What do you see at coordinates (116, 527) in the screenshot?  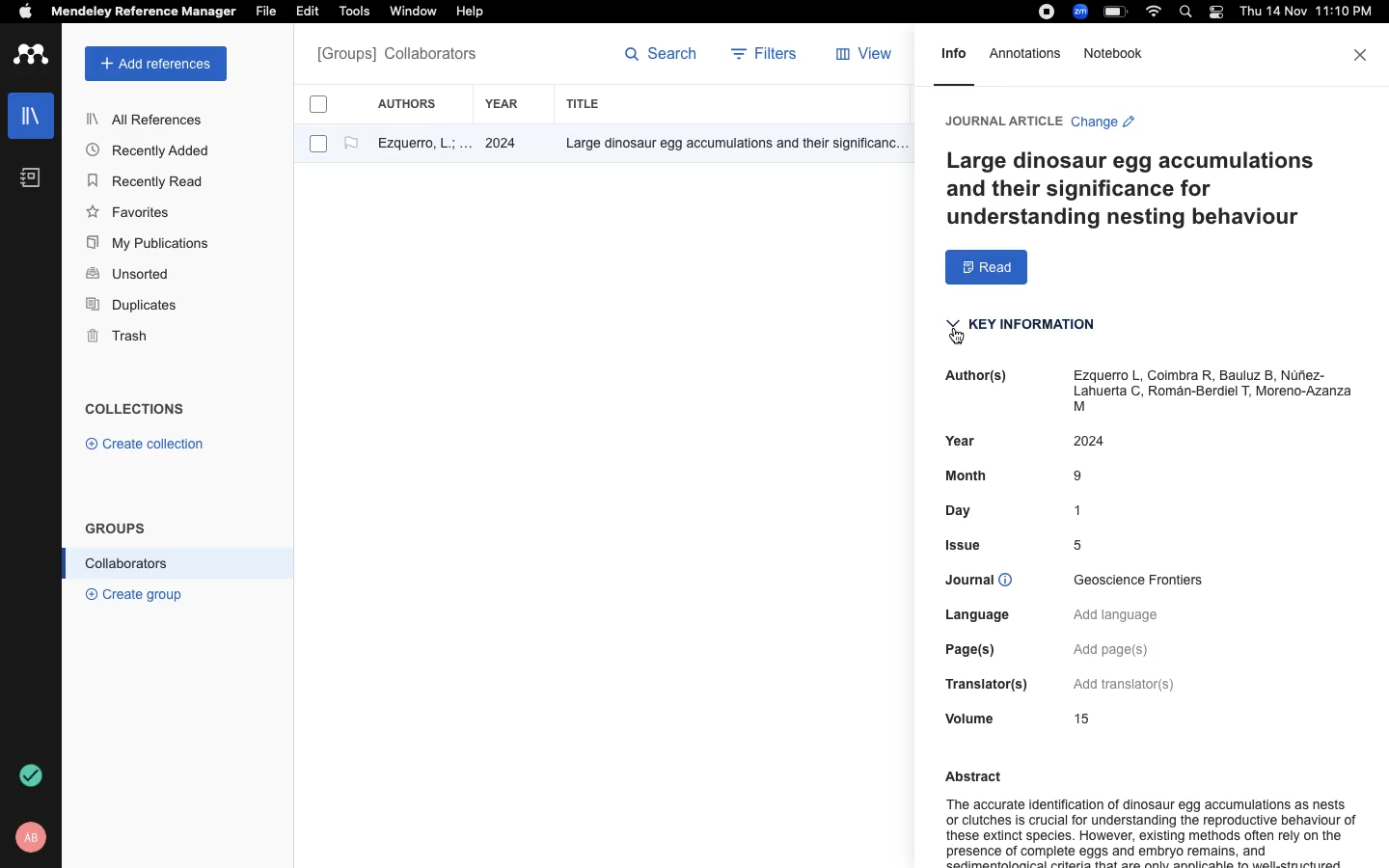 I see `GROUPS` at bounding box center [116, 527].